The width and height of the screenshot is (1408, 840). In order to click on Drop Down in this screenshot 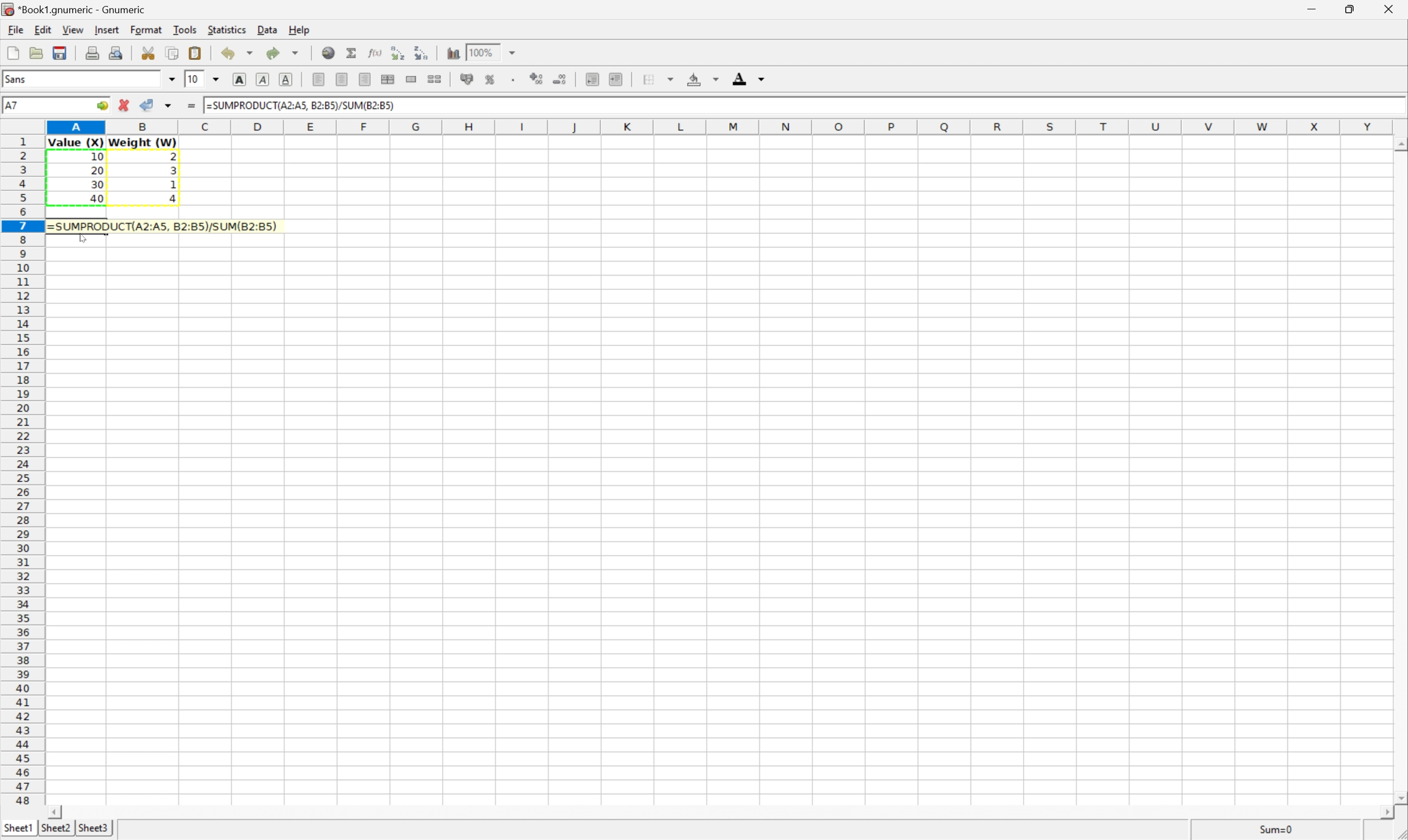, I will do `click(217, 77)`.